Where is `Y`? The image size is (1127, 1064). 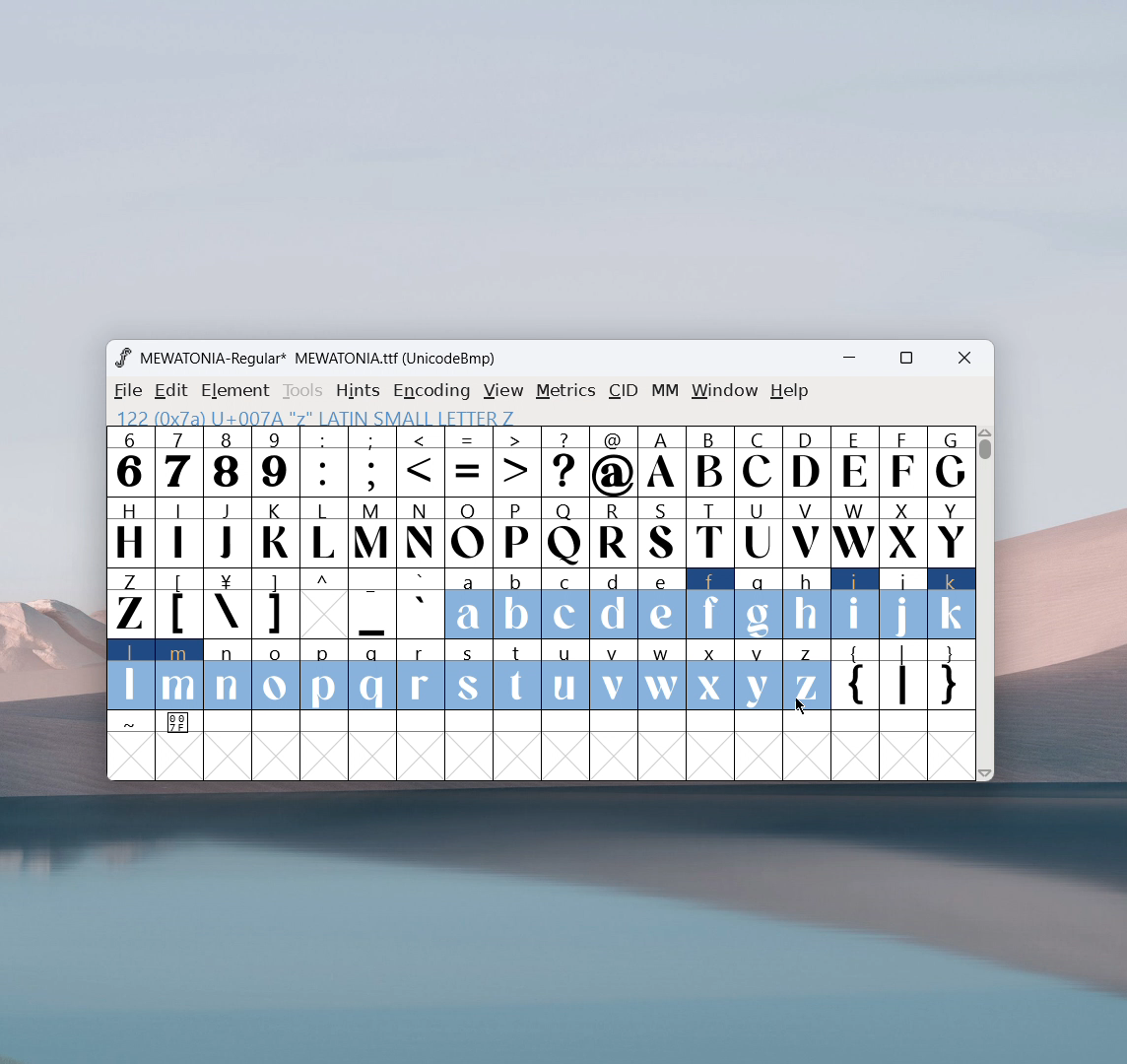
Y is located at coordinates (952, 531).